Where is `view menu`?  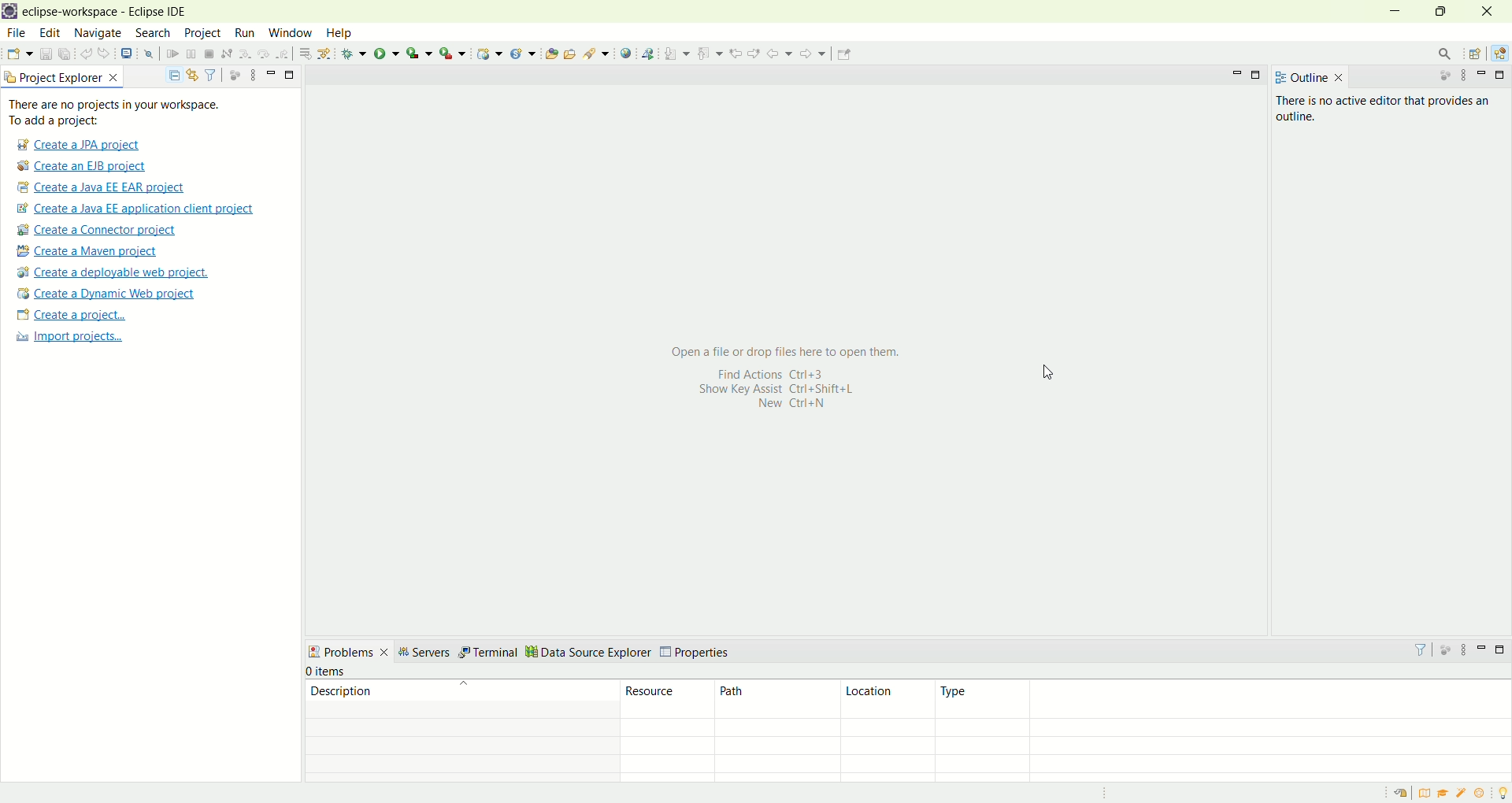 view menu is located at coordinates (254, 76).